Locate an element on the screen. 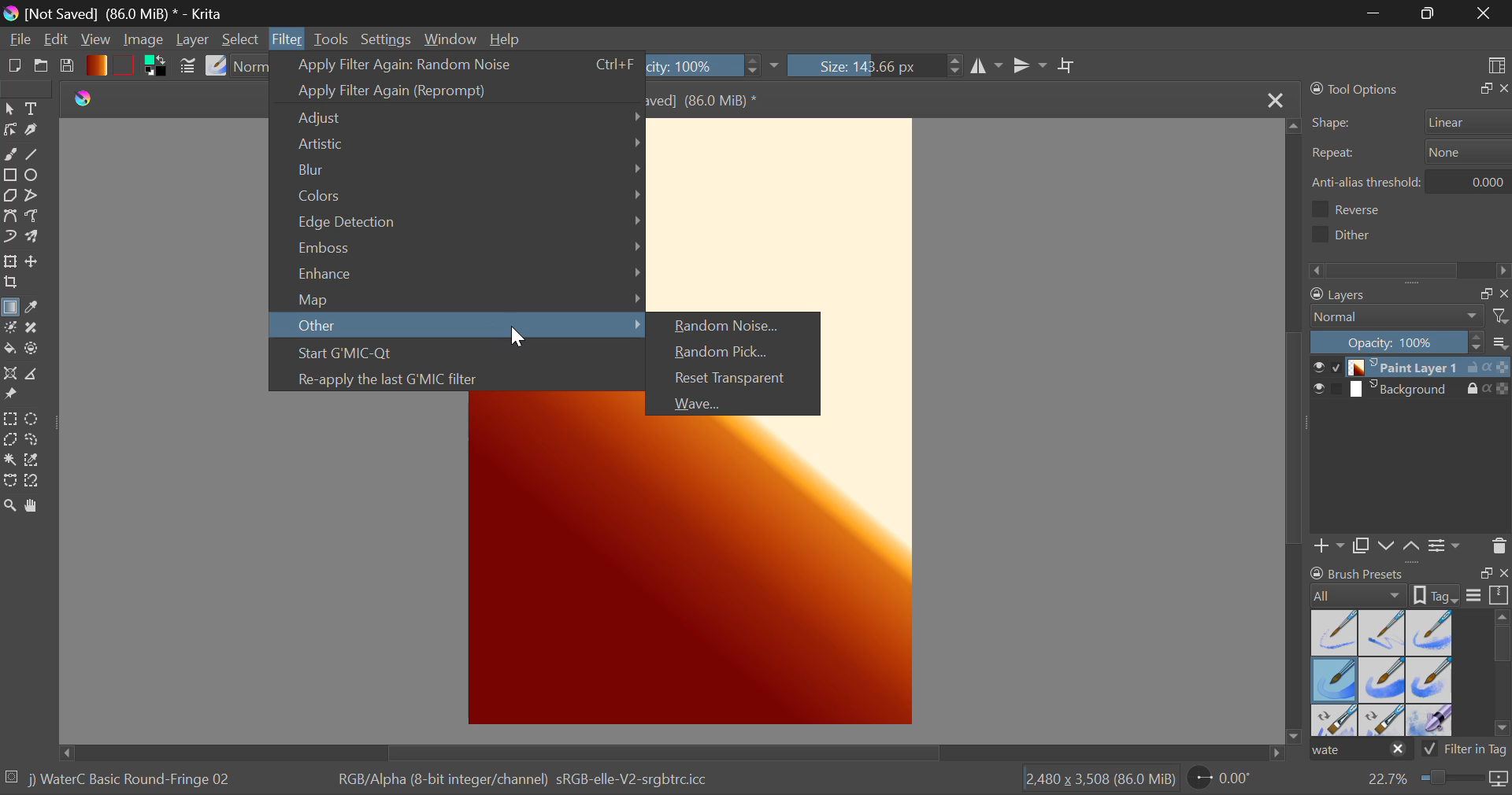  Tool Options is located at coordinates (1356, 89).